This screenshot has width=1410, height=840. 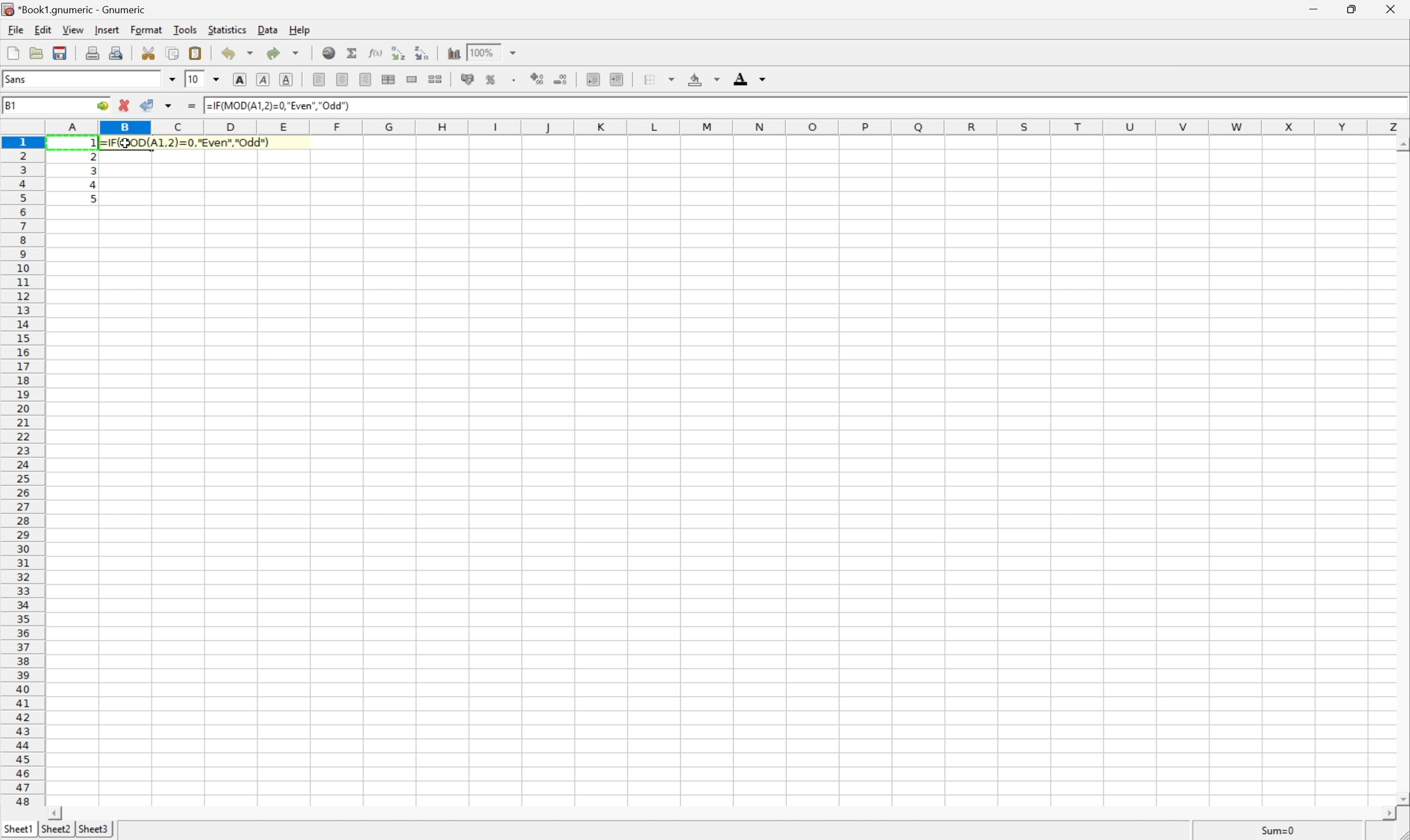 What do you see at coordinates (189, 142) in the screenshot?
I see `=IF(MOD(A1,2)=0,"Even","Odd")` at bounding box center [189, 142].